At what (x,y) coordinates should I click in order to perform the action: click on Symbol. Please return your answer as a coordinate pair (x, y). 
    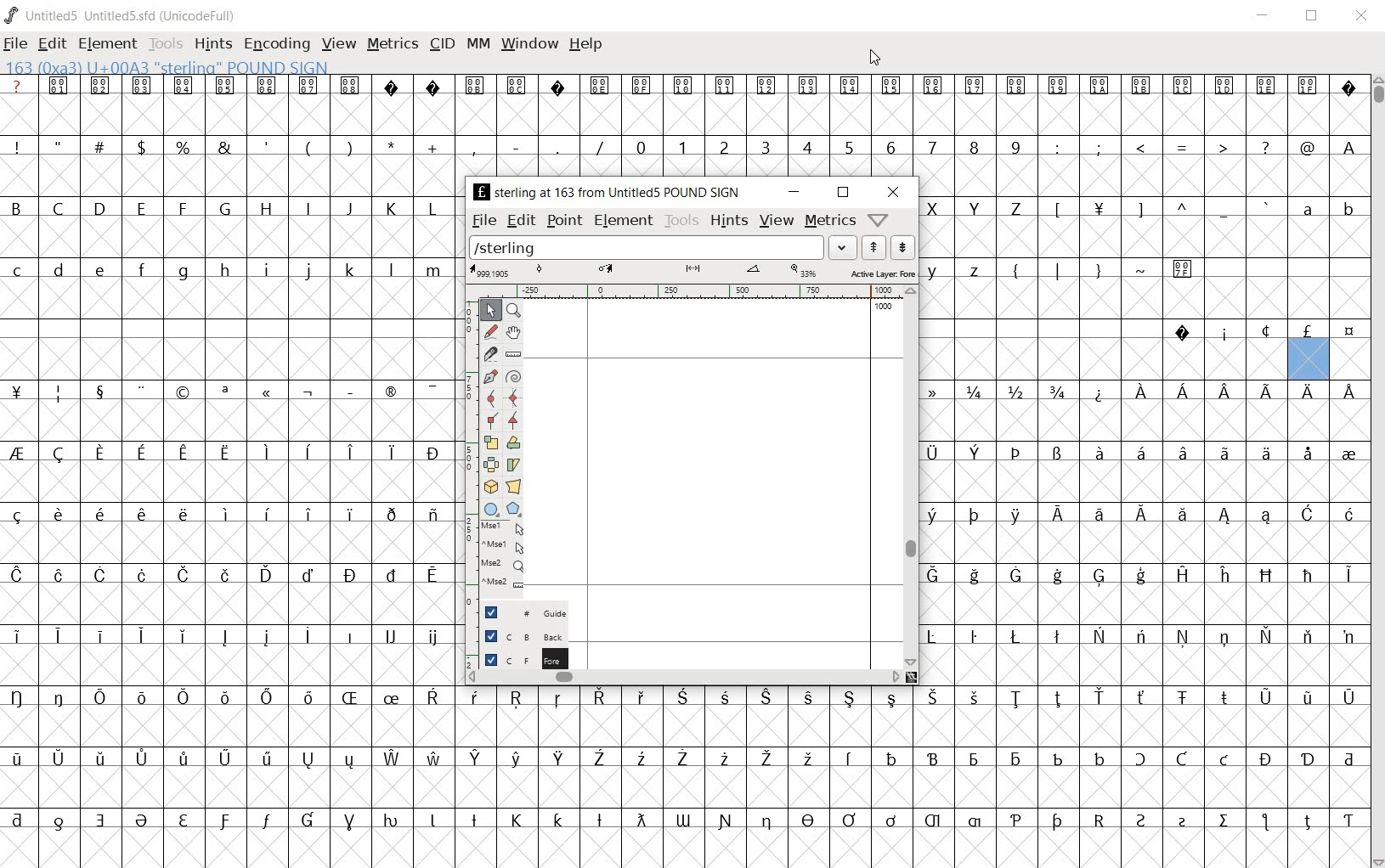
    Looking at the image, I should click on (767, 759).